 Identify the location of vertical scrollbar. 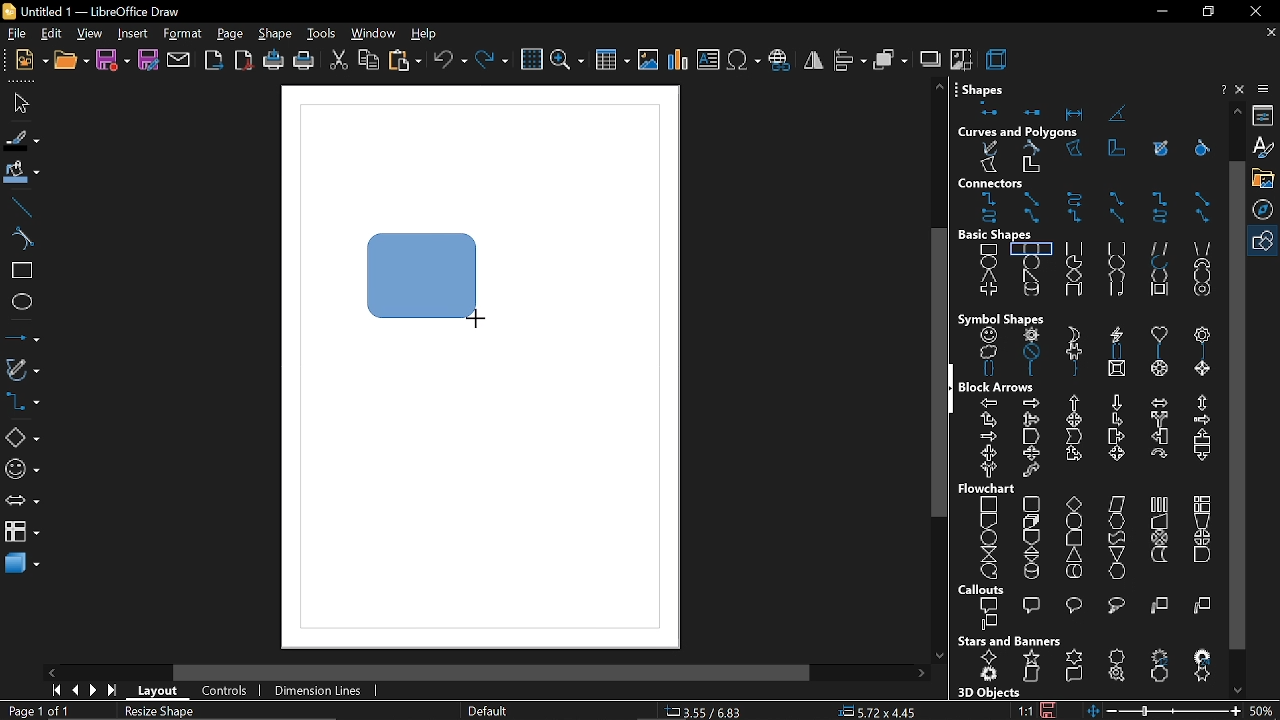
(1236, 404).